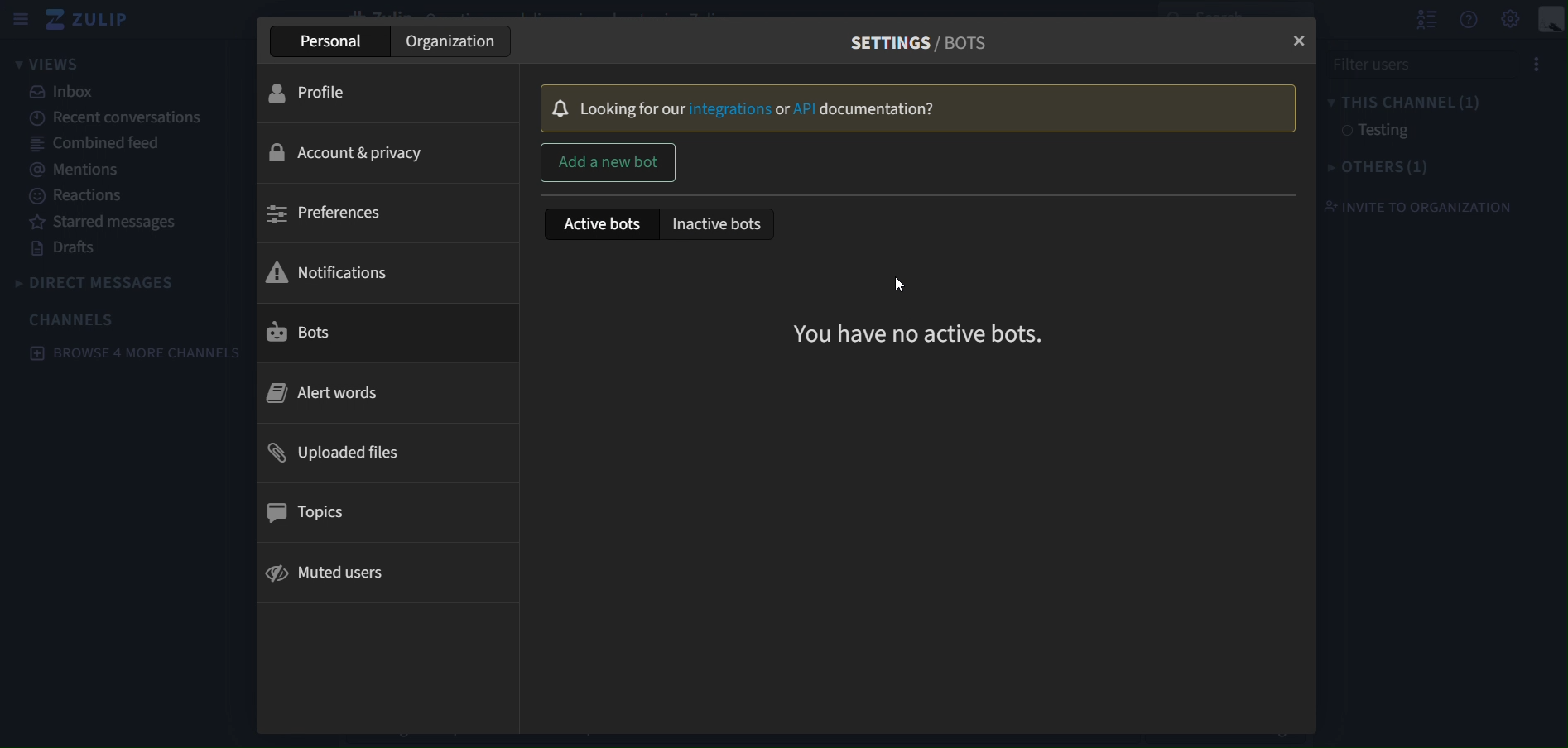 The image size is (1568, 748). What do you see at coordinates (1551, 20) in the screenshot?
I see `personal menu` at bounding box center [1551, 20].